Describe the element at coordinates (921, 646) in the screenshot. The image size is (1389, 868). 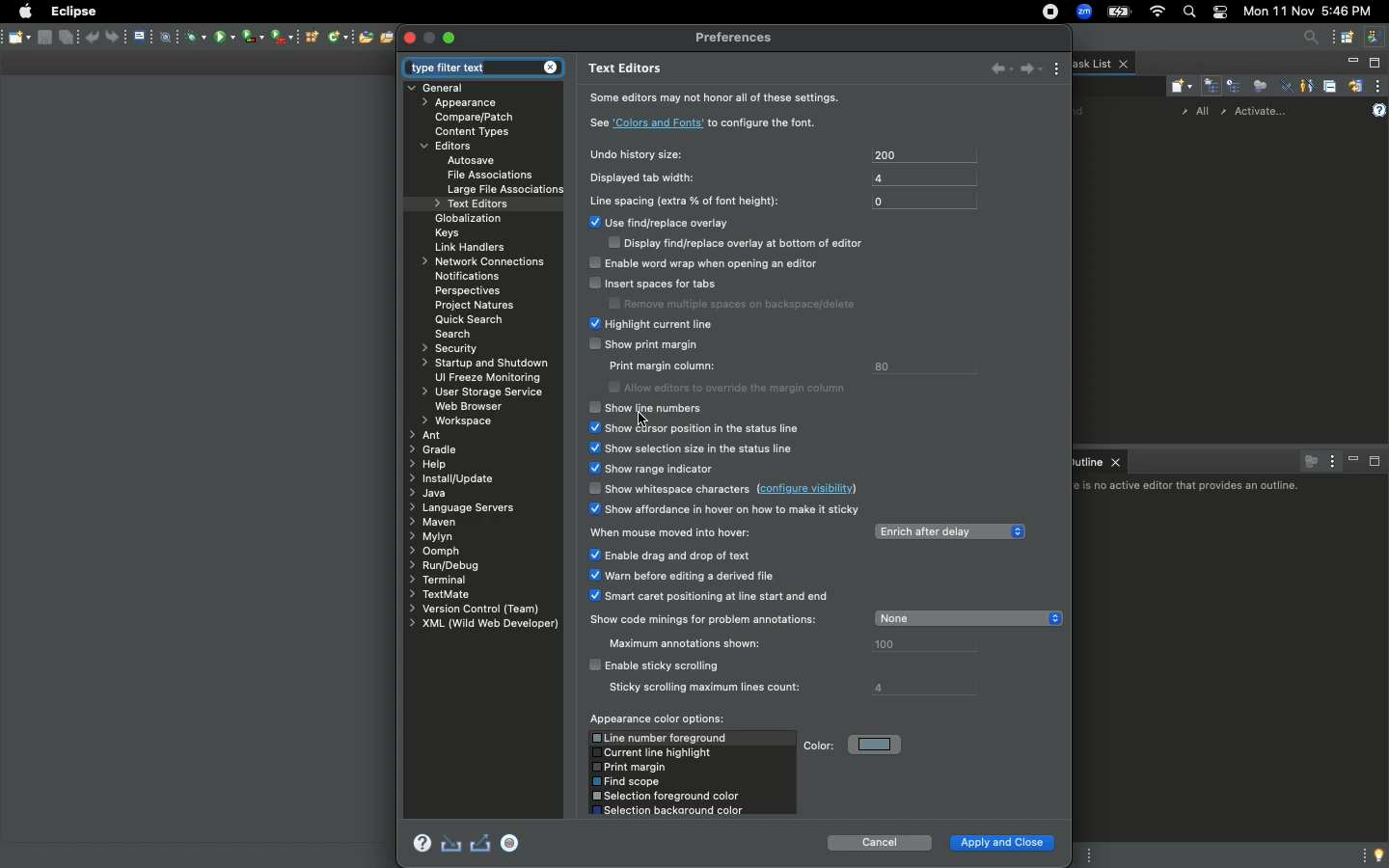
I see `100` at that location.